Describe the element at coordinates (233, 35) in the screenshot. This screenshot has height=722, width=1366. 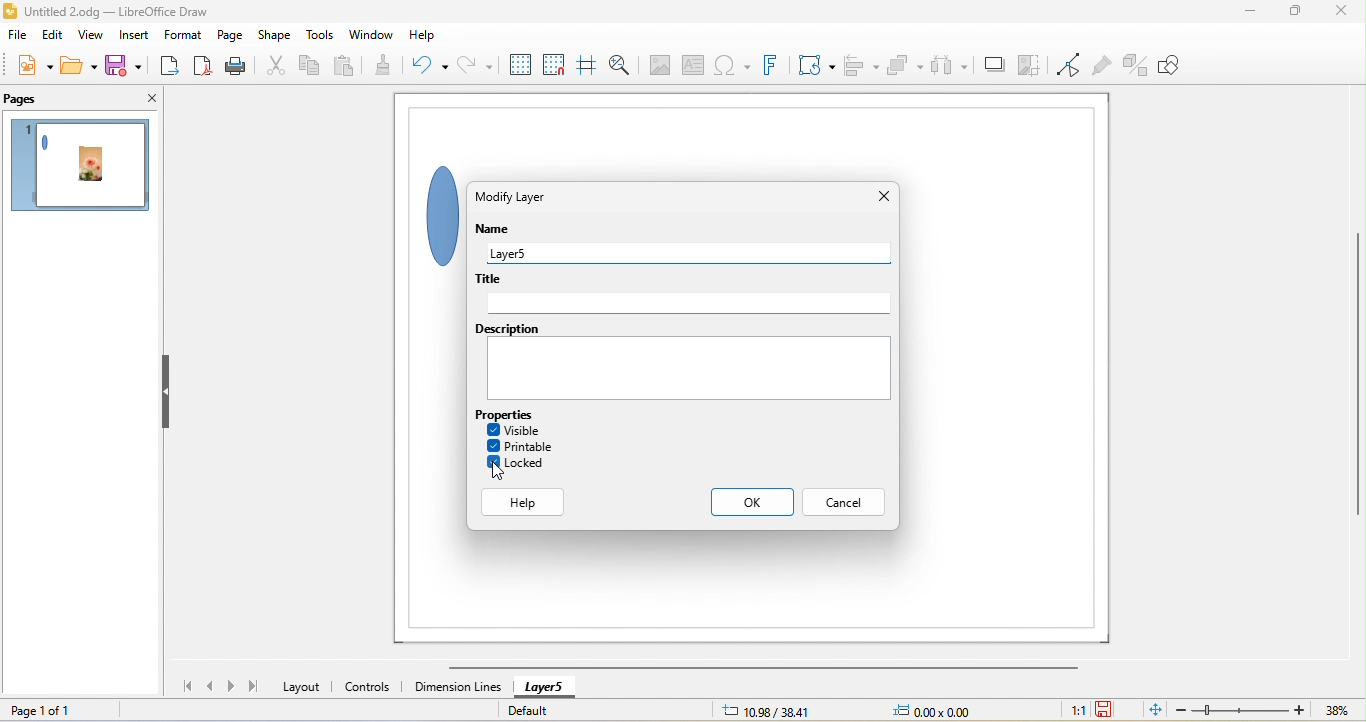
I see `page` at that location.